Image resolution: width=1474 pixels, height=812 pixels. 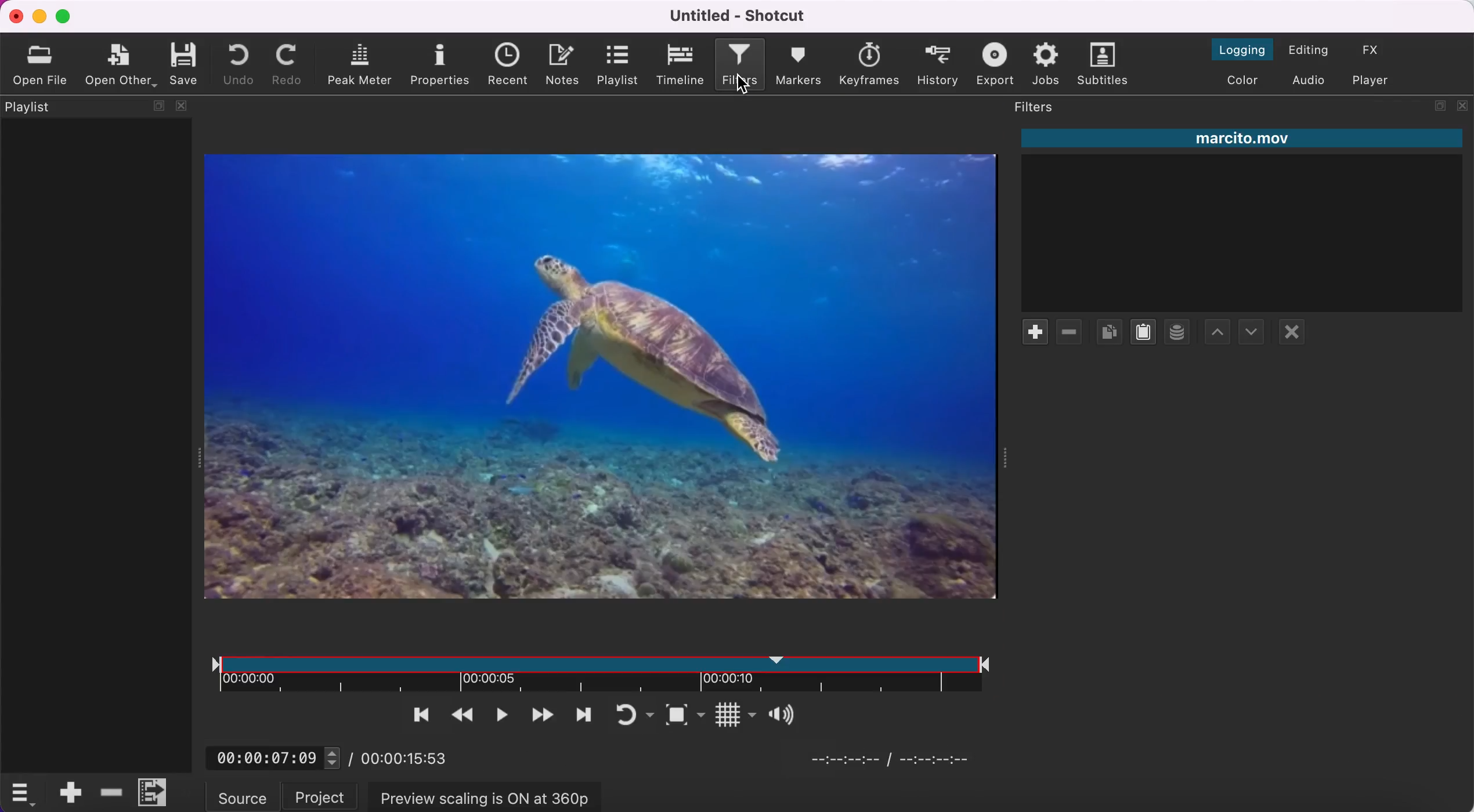 What do you see at coordinates (541, 713) in the screenshot?
I see `play quickly forwards` at bounding box center [541, 713].